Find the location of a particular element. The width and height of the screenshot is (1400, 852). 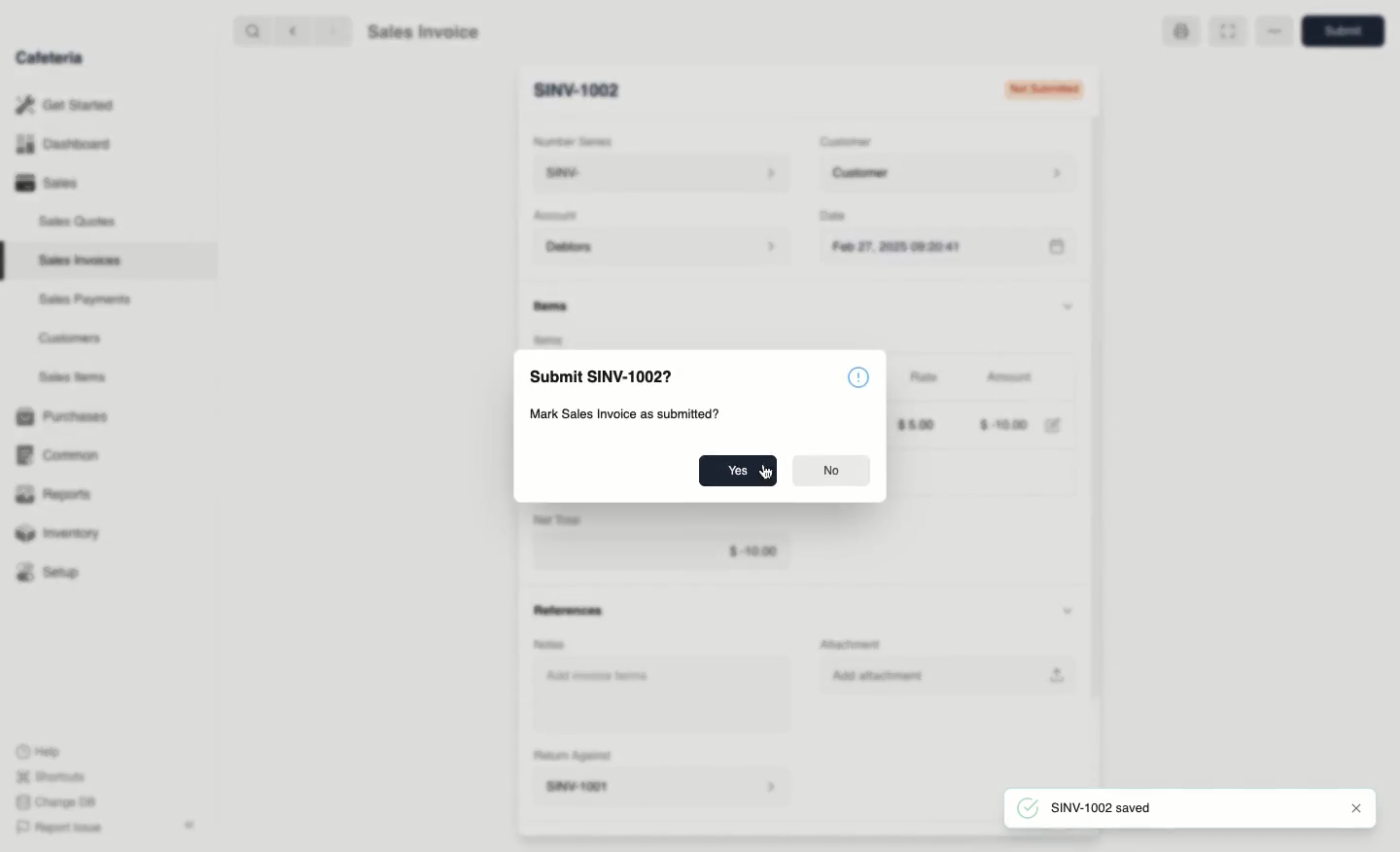

Cafeteria is located at coordinates (49, 58).